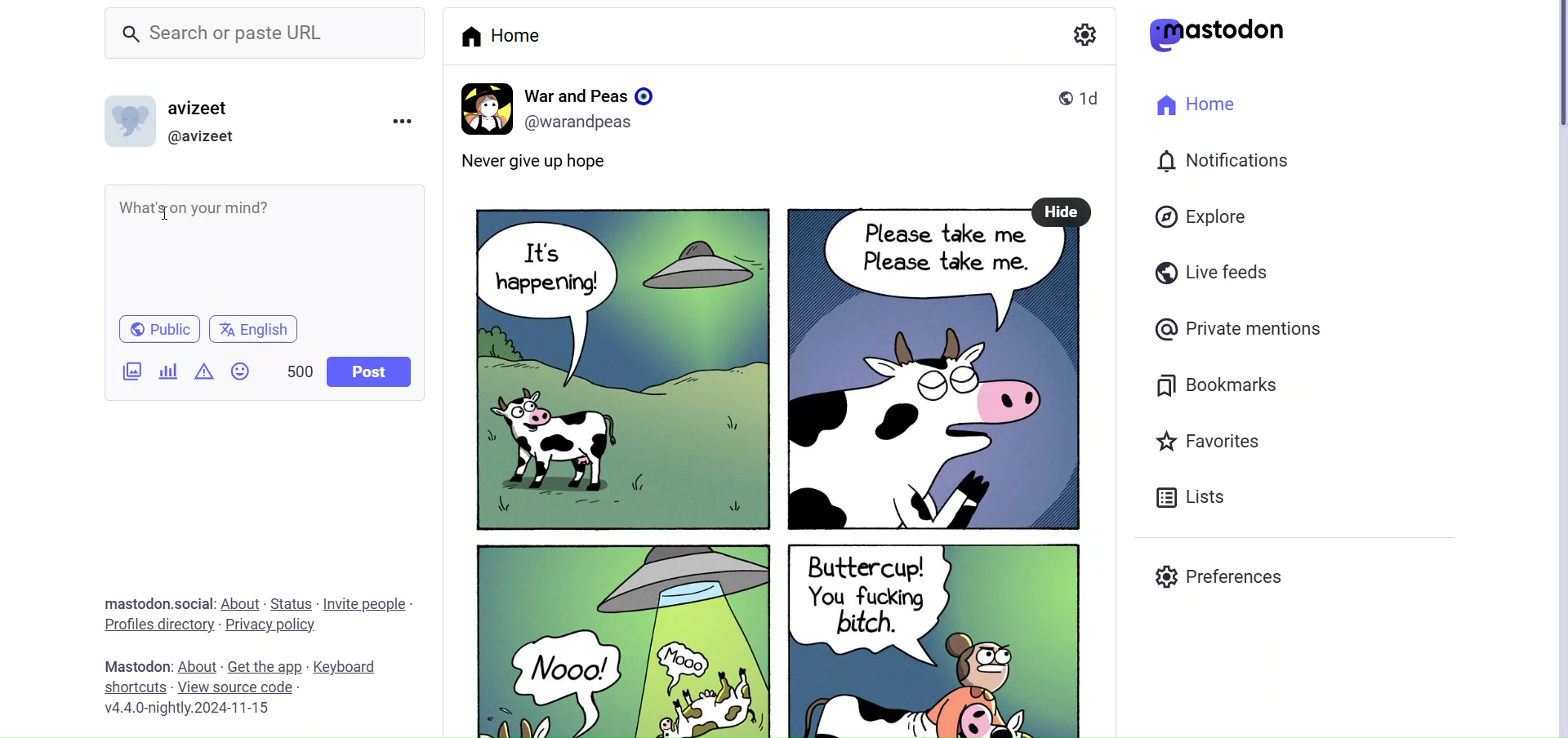  What do you see at coordinates (406, 119) in the screenshot?
I see `Menu` at bounding box center [406, 119].